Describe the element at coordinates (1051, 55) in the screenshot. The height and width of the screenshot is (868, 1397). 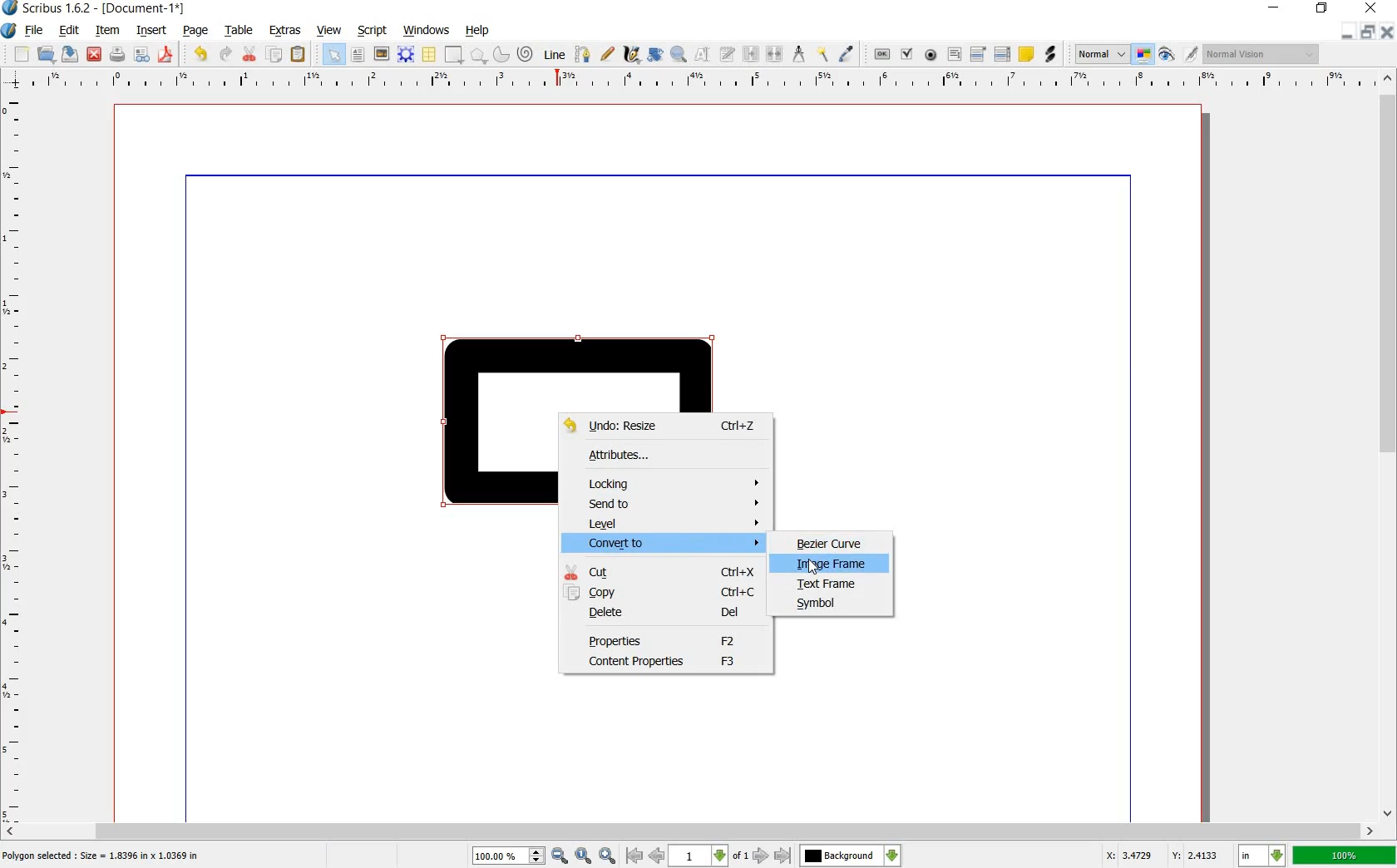
I see `link annotation` at that location.